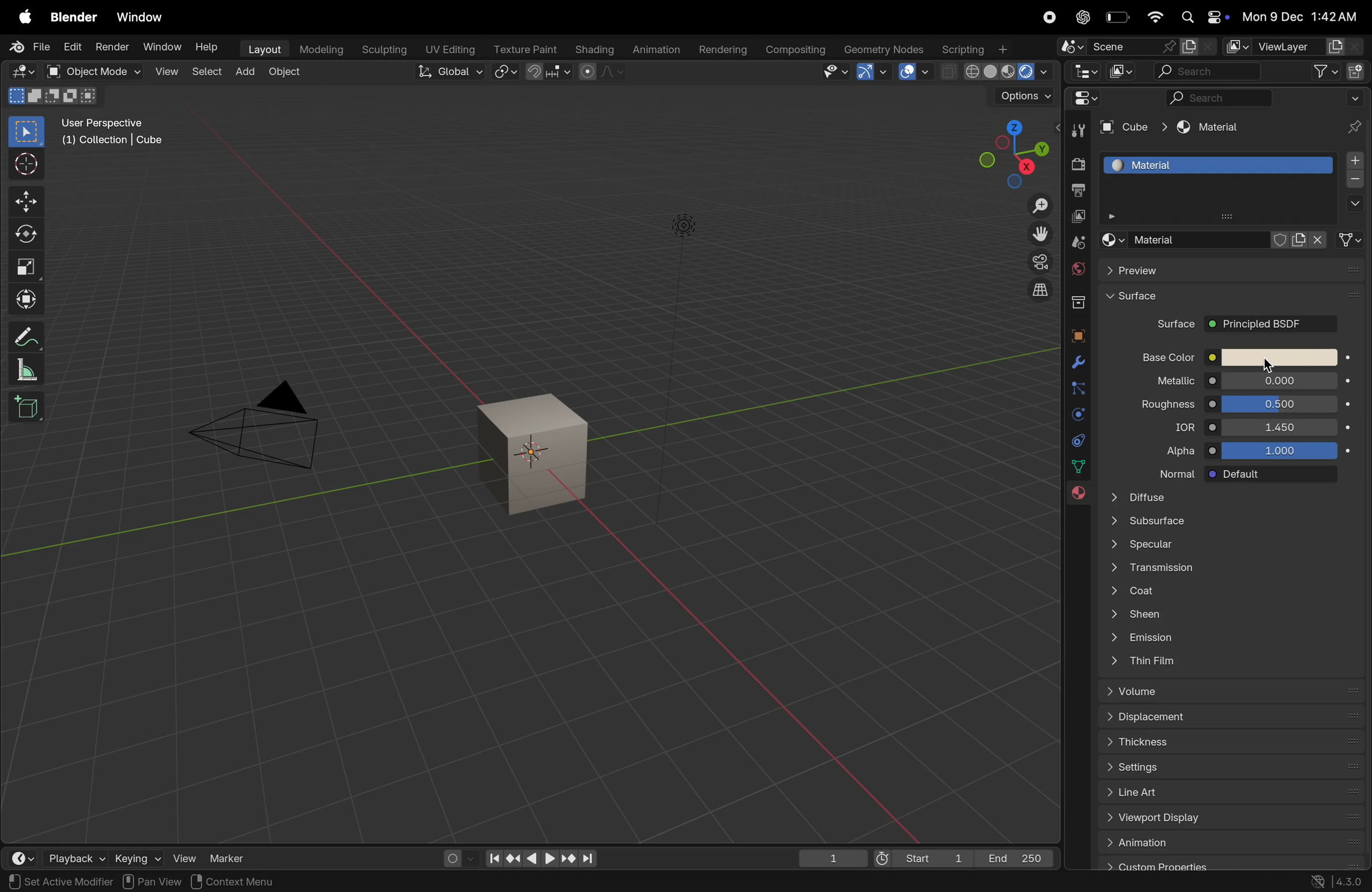 Image resolution: width=1372 pixels, height=892 pixels. Describe the element at coordinates (1232, 718) in the screenshot. I see `displace meny` at that location.